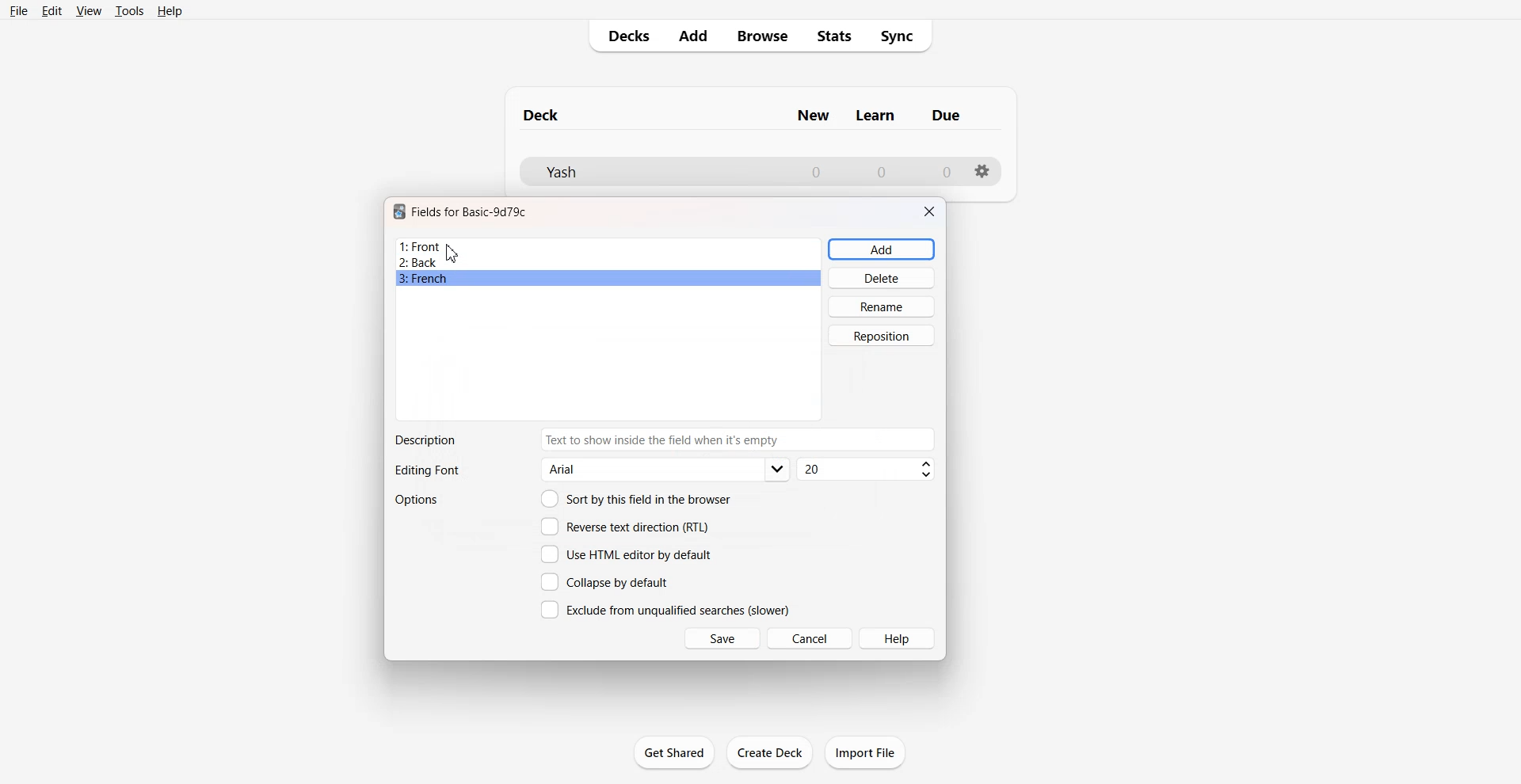  What do you see at coordinates (674, 752) in the screenshot?
I see `Get Shared` at bounding box center [674, 752].